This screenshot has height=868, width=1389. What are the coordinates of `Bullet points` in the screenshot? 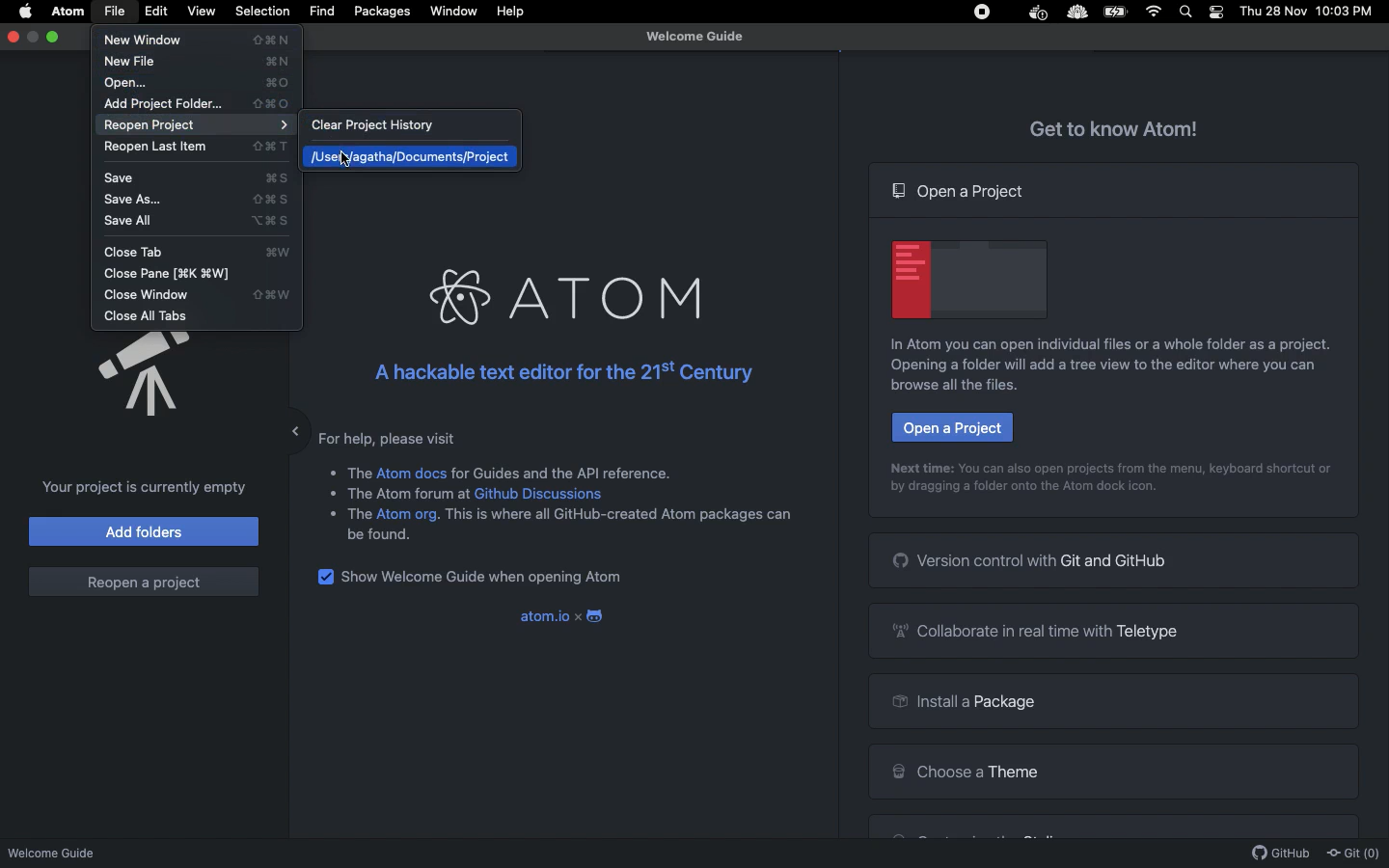 It's located at (331, 492).